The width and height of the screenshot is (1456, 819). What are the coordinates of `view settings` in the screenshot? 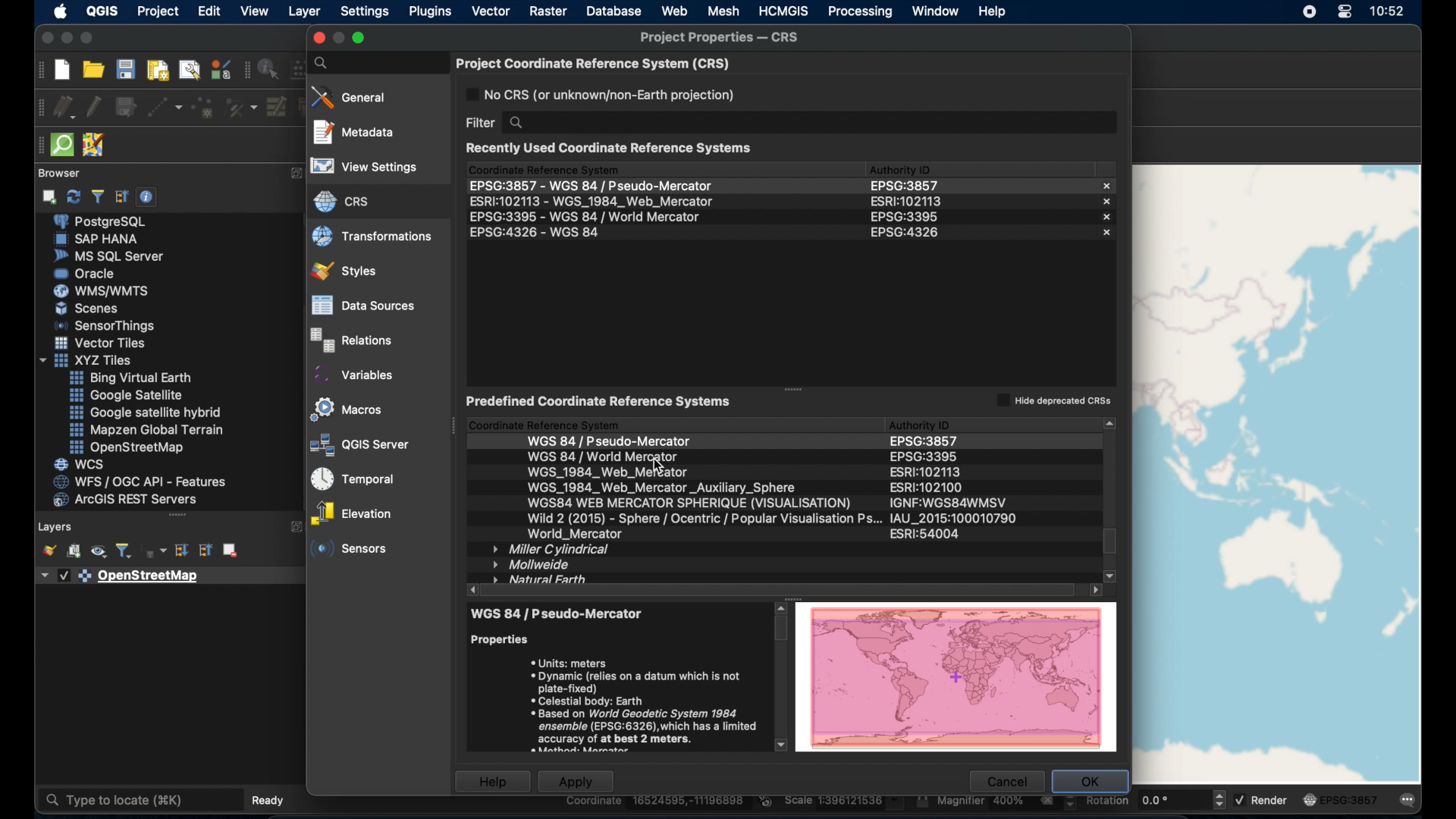 It's located at (369, 167).